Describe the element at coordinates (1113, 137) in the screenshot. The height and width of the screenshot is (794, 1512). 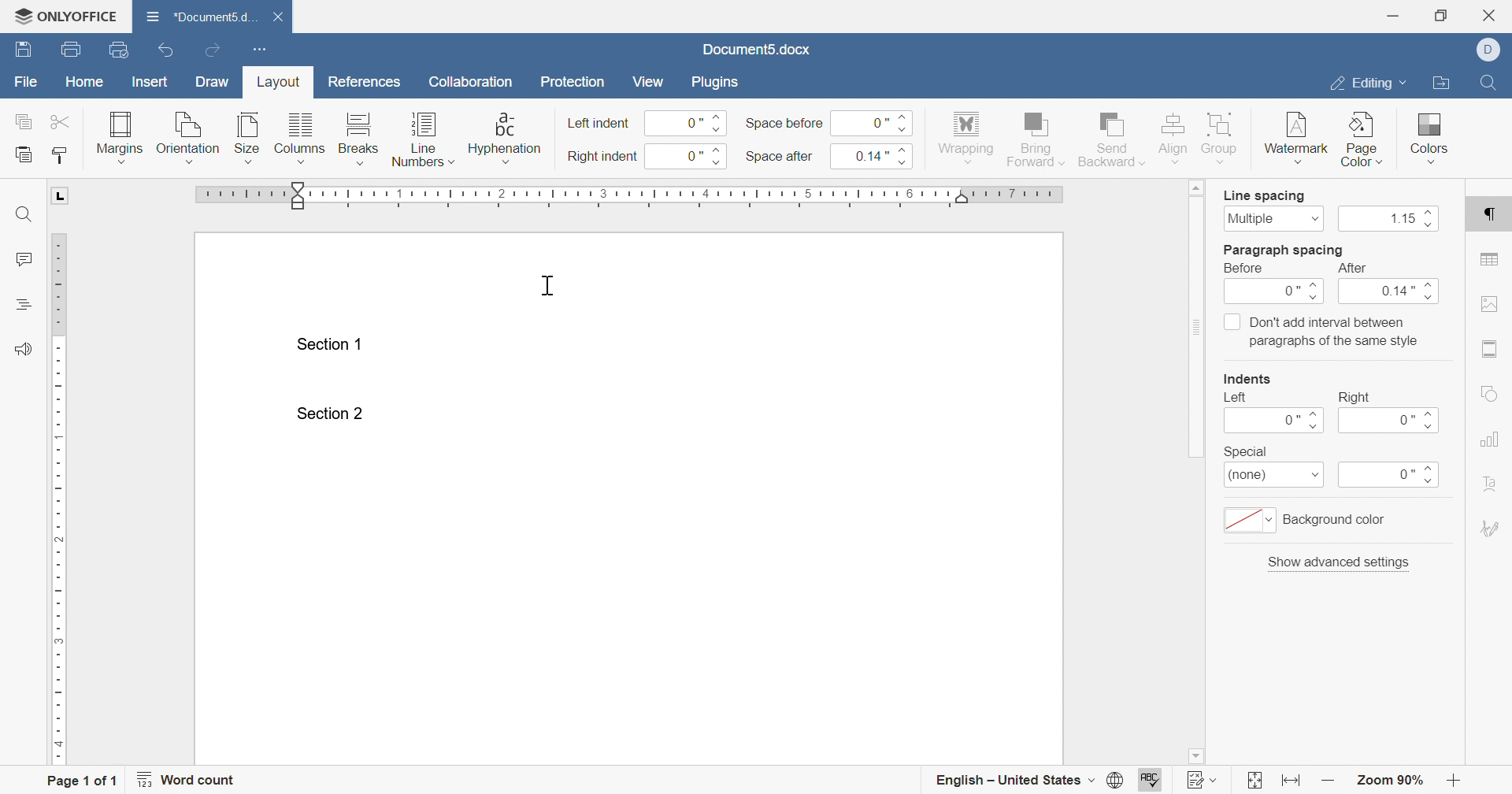
I see `send backward` at that location.